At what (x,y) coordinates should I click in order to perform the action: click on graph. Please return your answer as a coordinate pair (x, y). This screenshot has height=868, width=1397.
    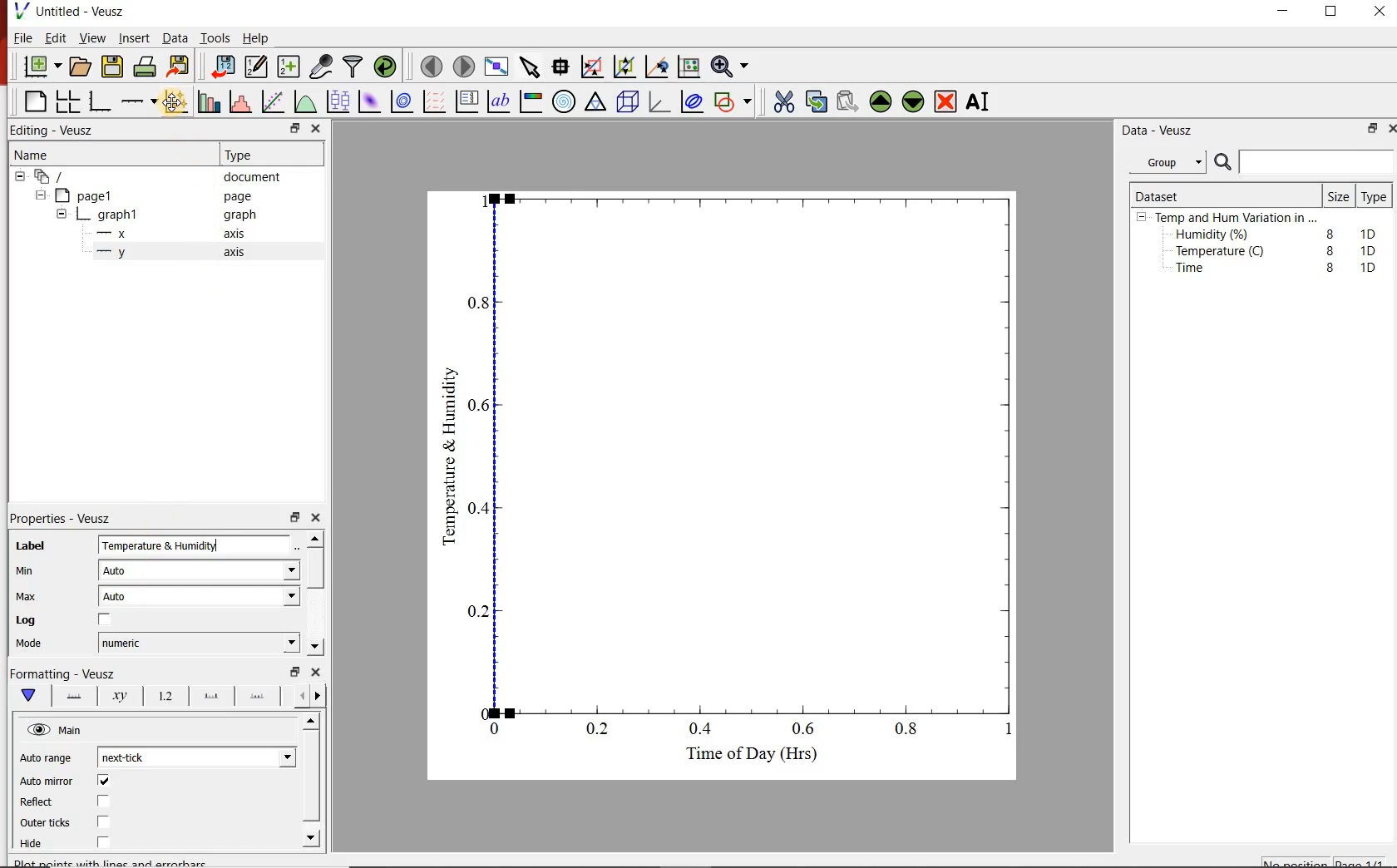
    Looking at the image, I should click on (239, 216).